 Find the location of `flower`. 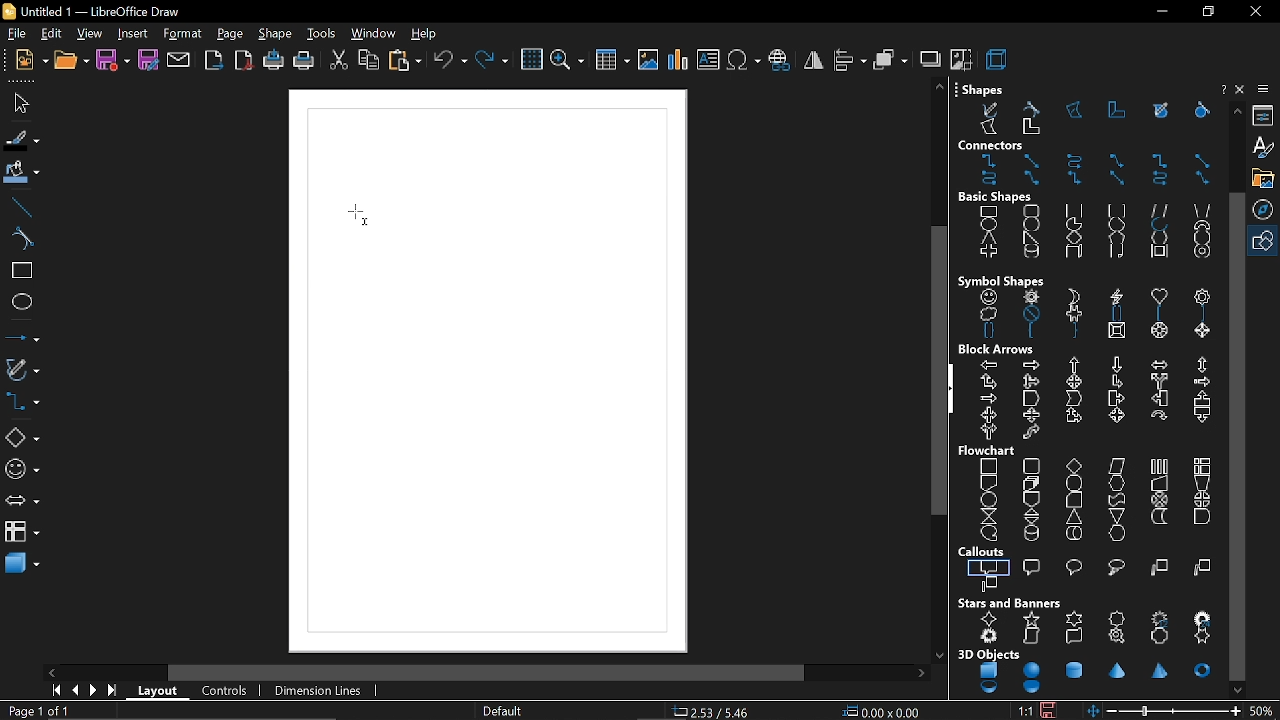

flower is located at coordinates (1201, 296).